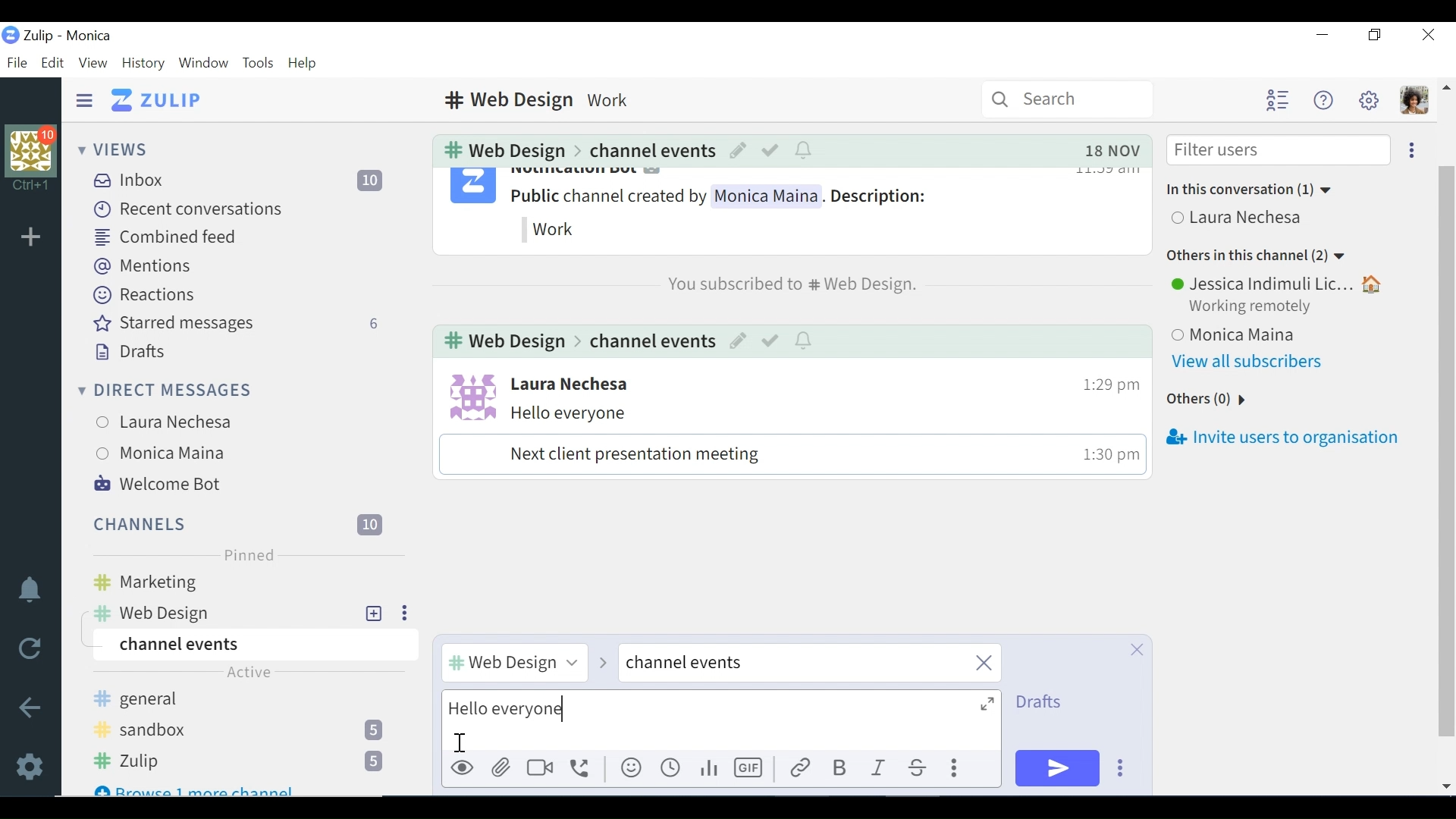 The image size is (1456, 819). What do you see at coordinates (1408, 149) in the screenshot?
I see `Ellipsis` at bounding box center [1408, 149].